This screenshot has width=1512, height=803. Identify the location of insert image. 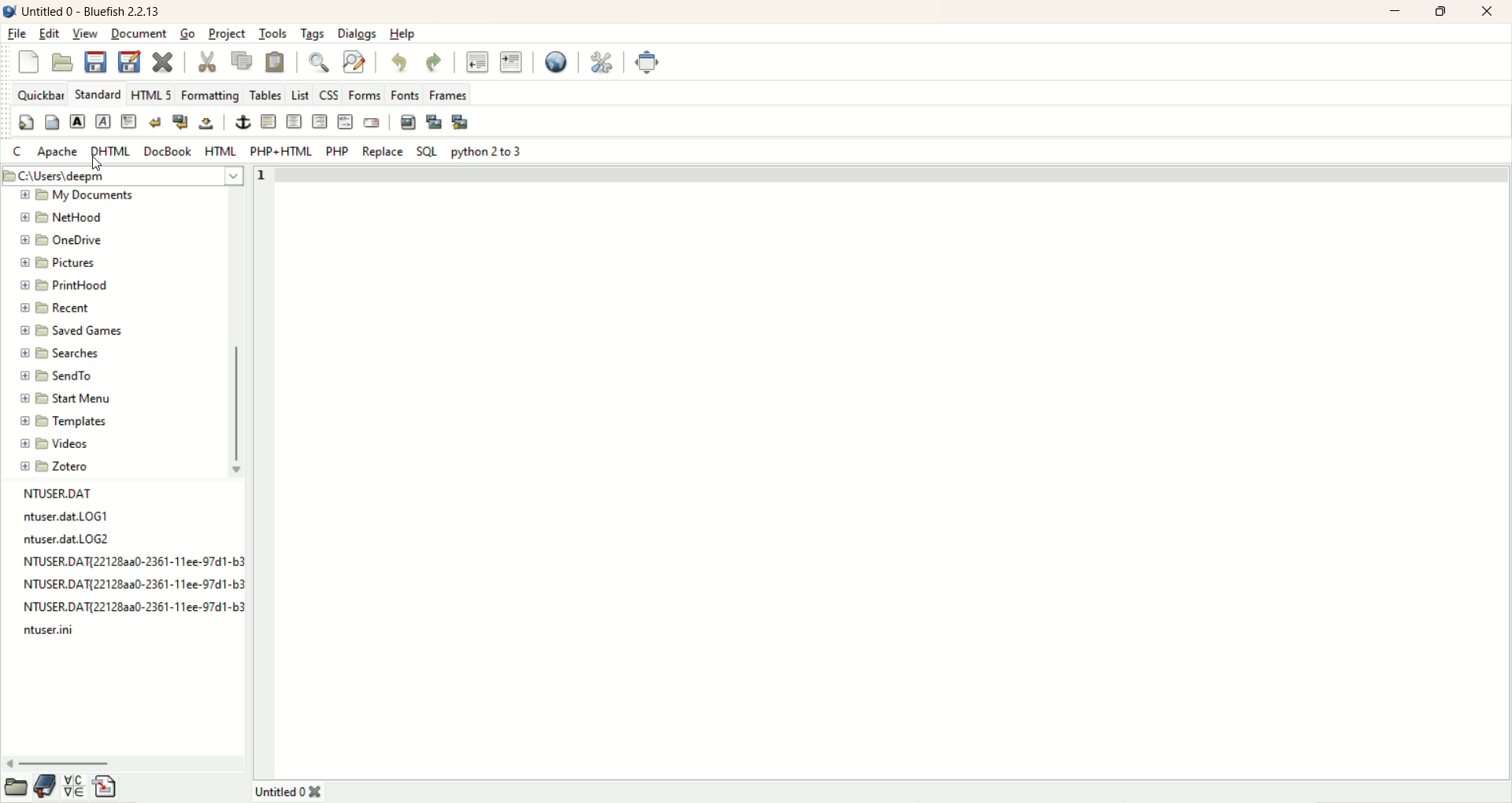
(407, 124).